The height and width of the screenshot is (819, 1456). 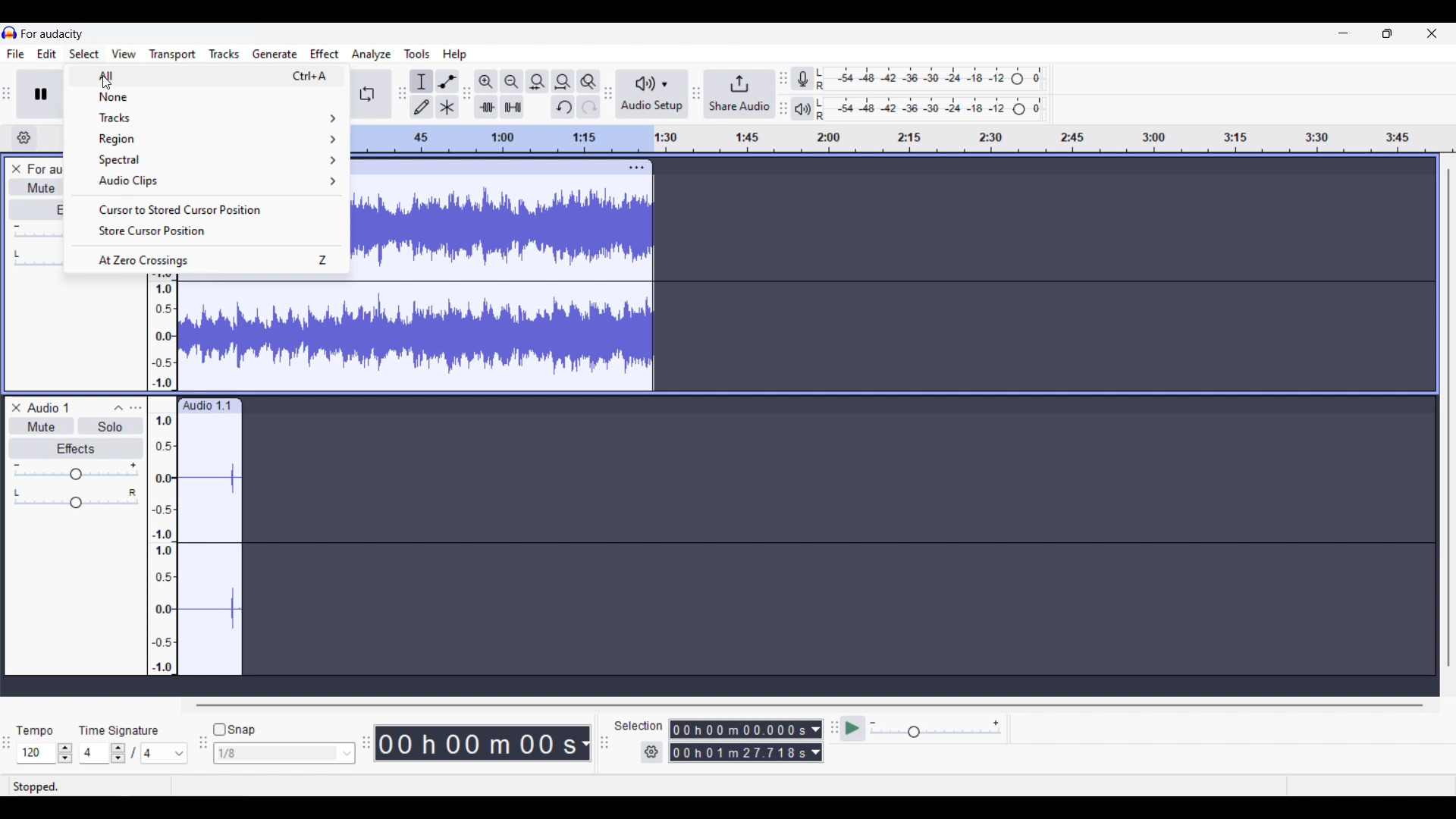 What do you see at coordinates (119, 730) in the screenshot?
I see `time signature ` at bounding box center [119, 730].